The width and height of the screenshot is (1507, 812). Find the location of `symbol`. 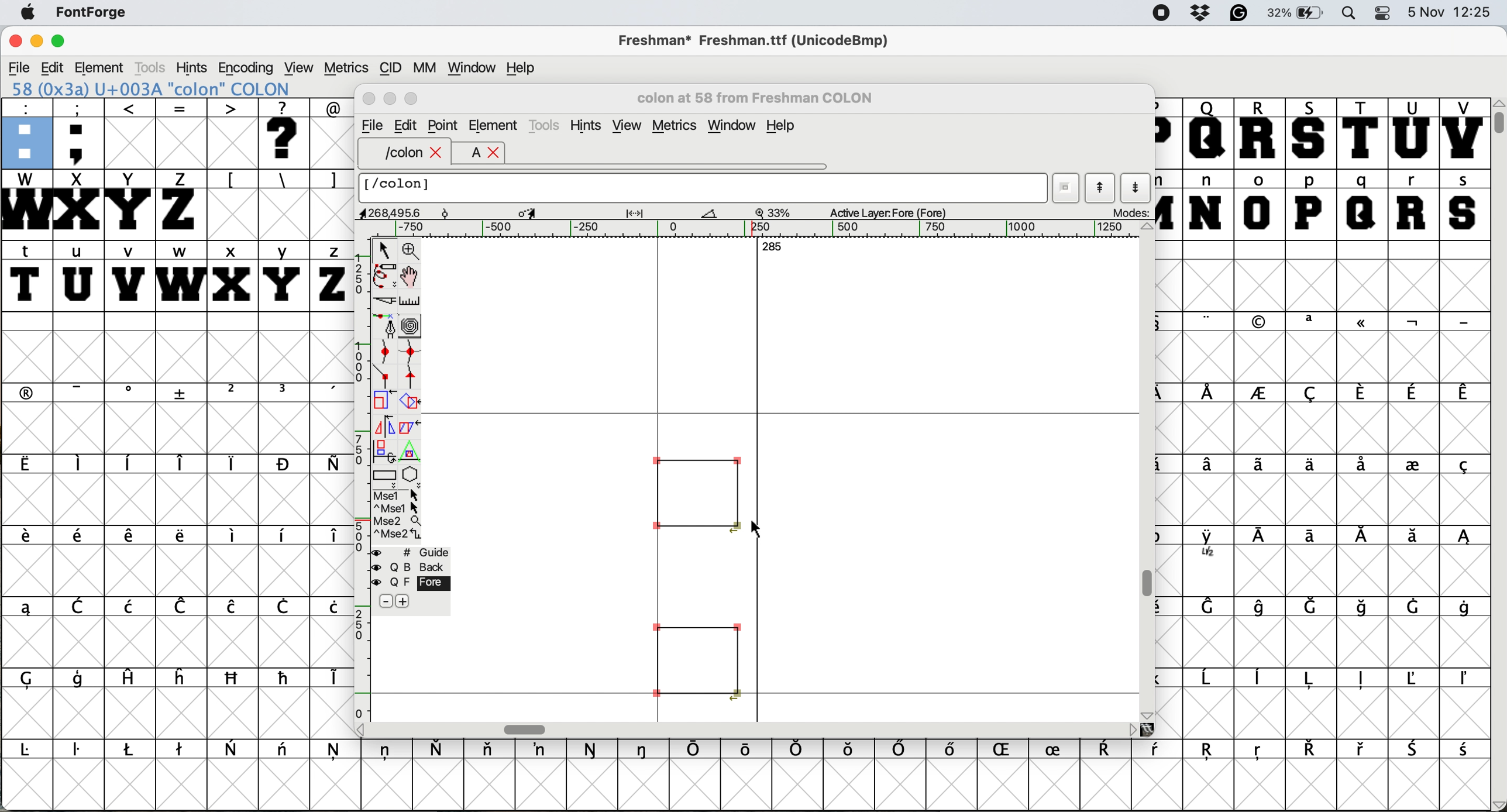

symbol is located at coordinates (1261, 679).